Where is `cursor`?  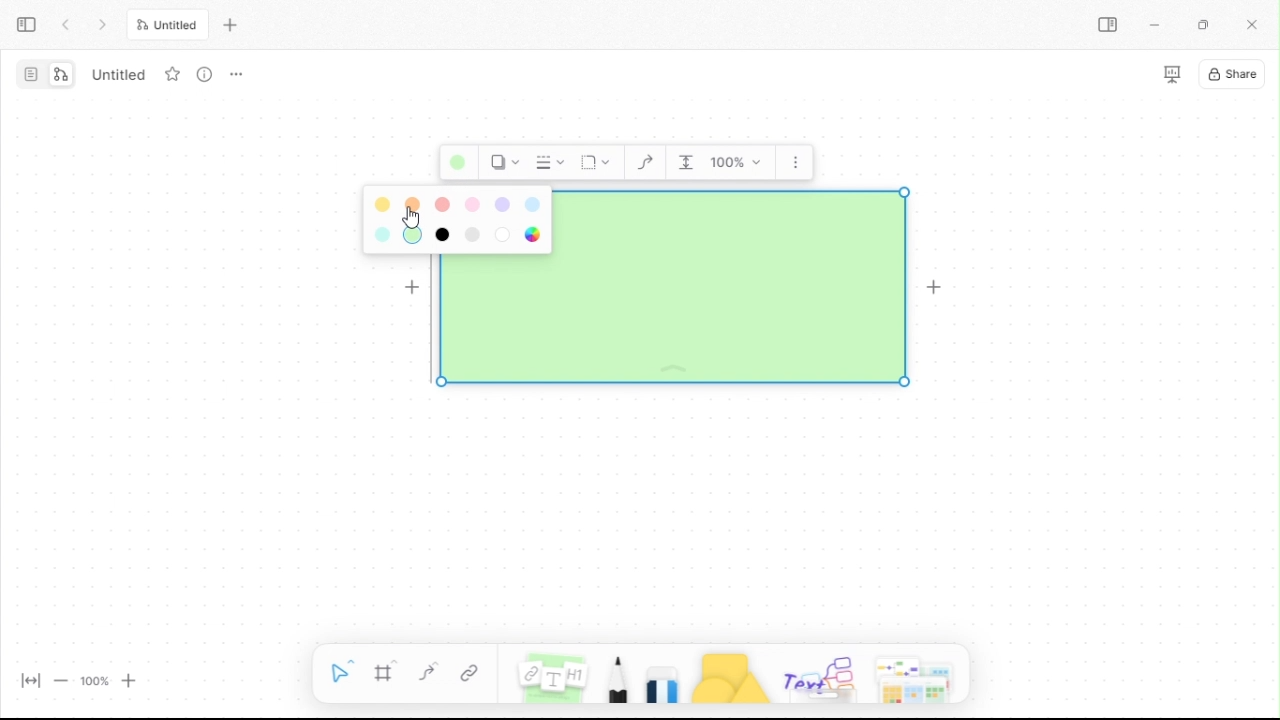
cursor is located at coordinates (410, 218).